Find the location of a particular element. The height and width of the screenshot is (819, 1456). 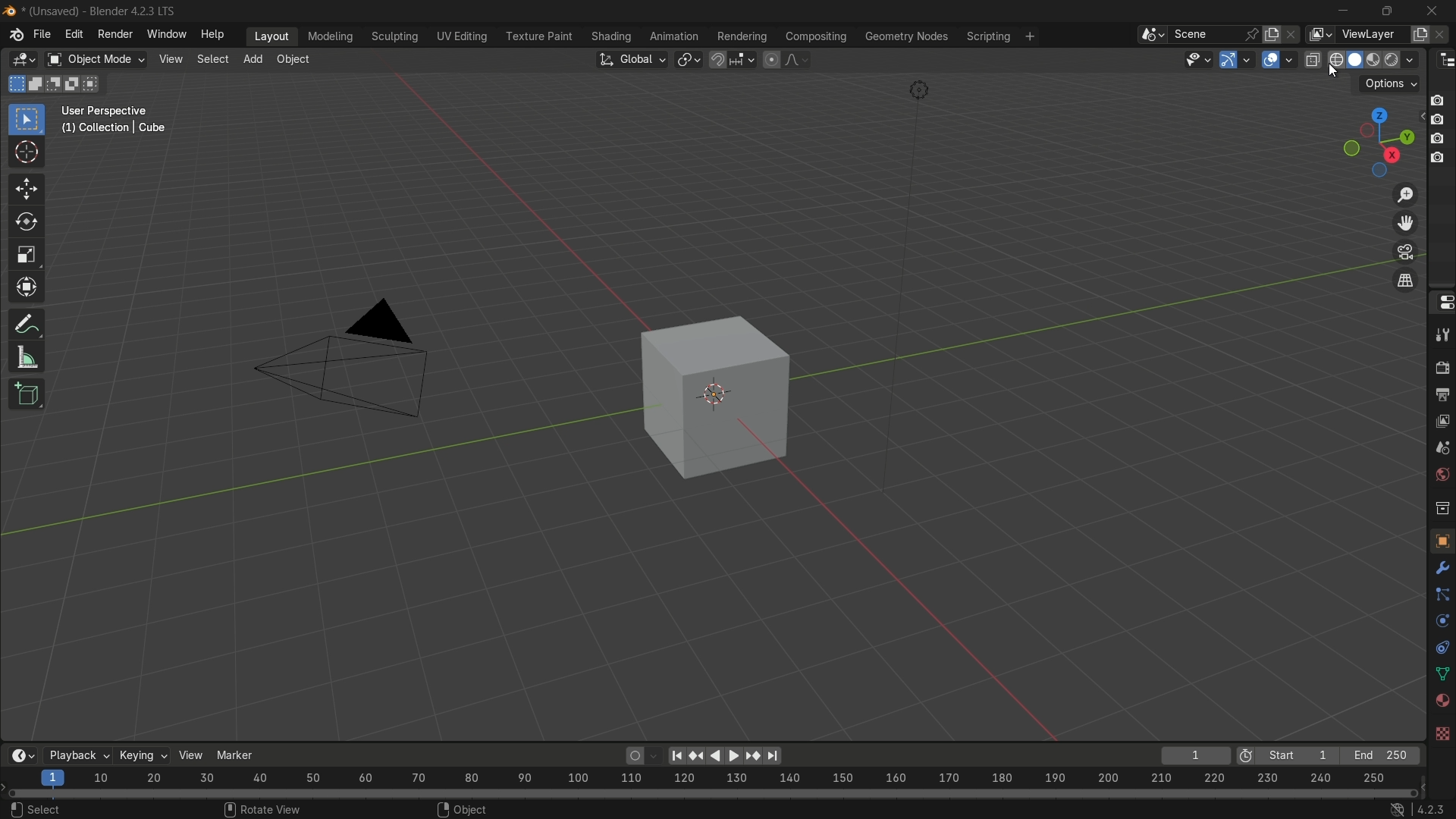

rotate is located at coordinates (23, 224).